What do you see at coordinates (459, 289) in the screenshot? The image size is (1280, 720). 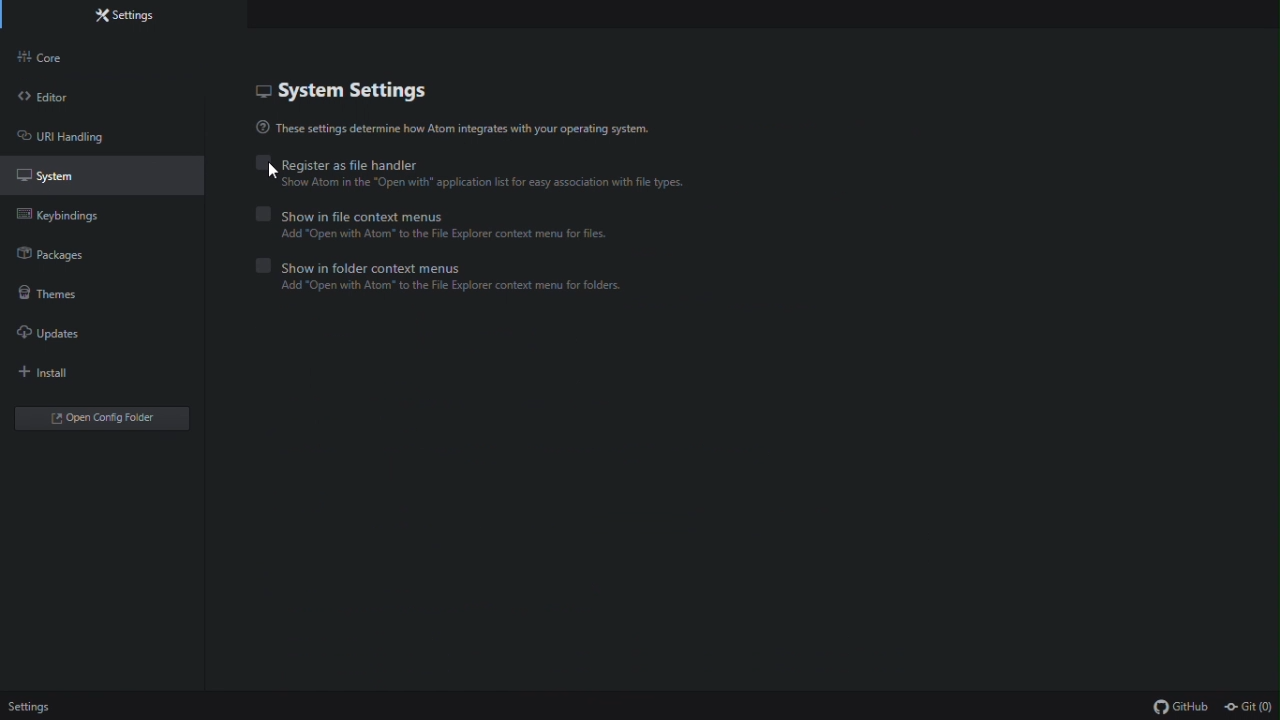 I see `‘Add "Open with Atom" to the File Explorer context menu for folders.` at bounding box center [459, 289].